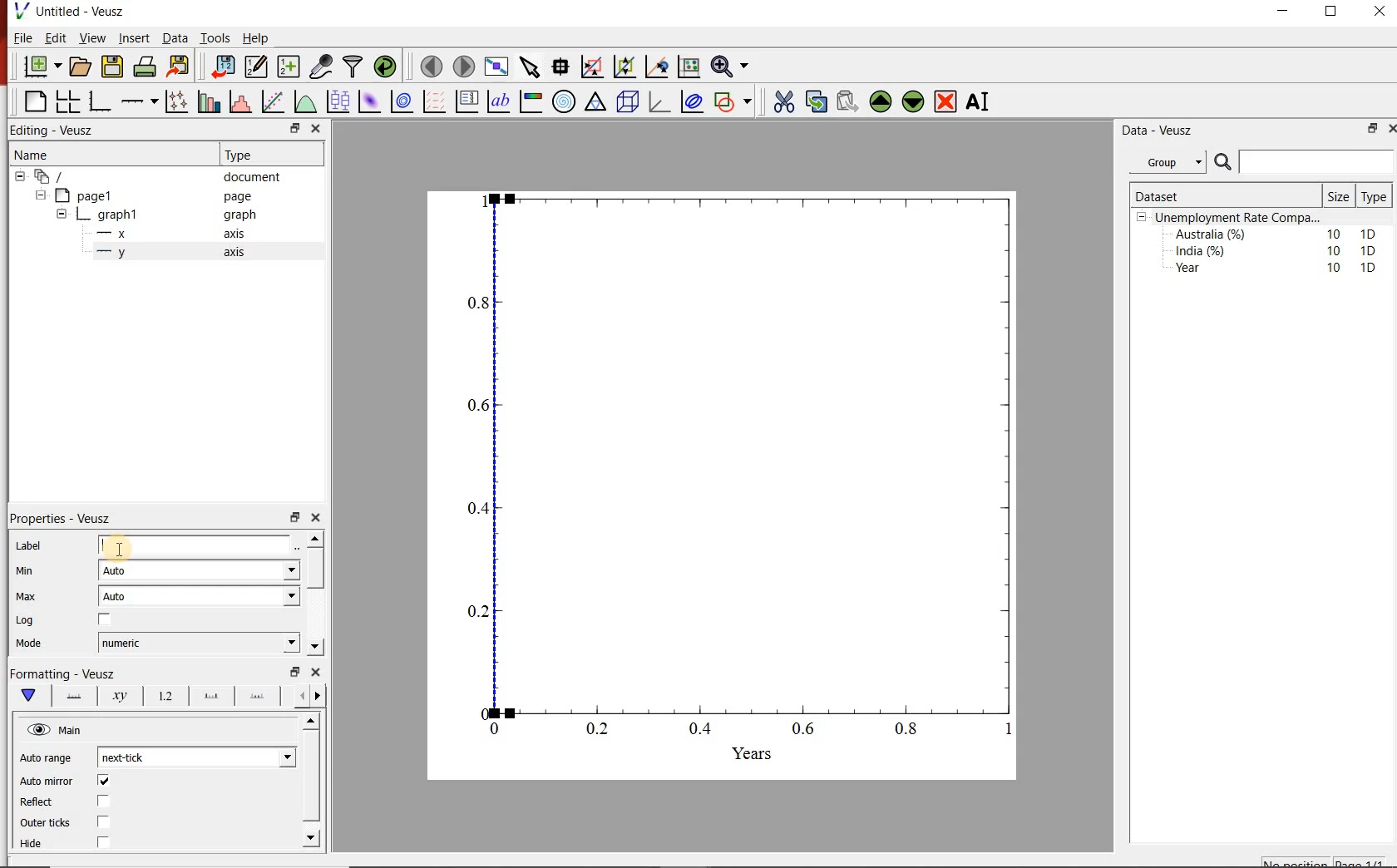 The image size is (1397, 868). I want to click on Dataset, so click(1196, 196).